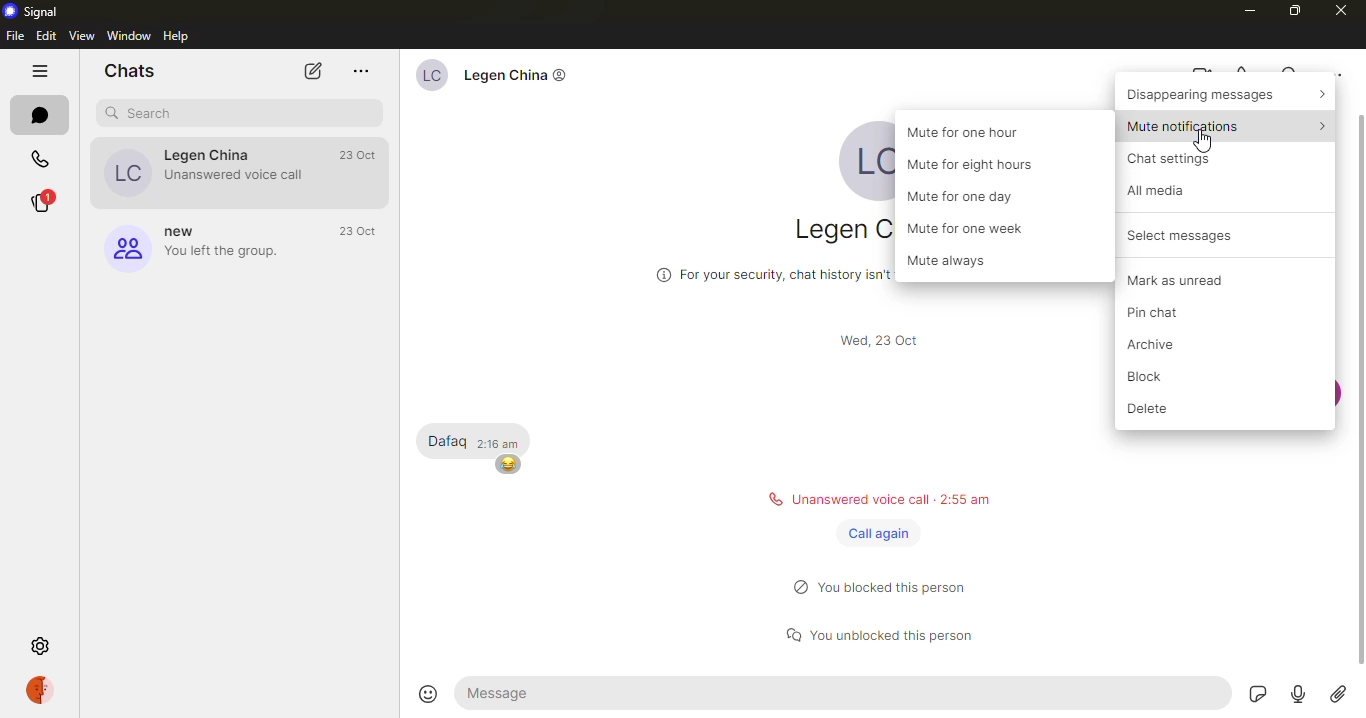 This screenshot has width=1366, height=718. I want to click on help, so click(176, 34).